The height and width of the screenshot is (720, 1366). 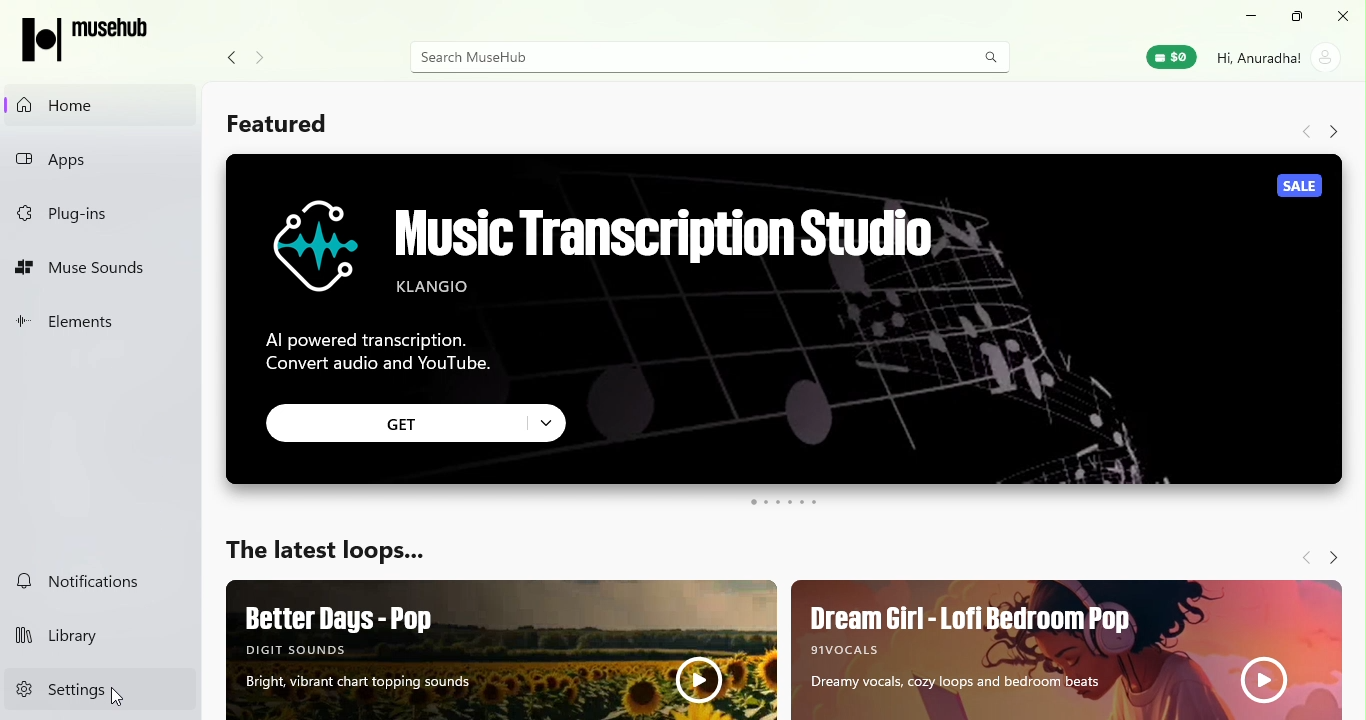 What do you see at coordinates (418, 423) in the screenshot?
I see `Get` at bounding box center [418, 423].